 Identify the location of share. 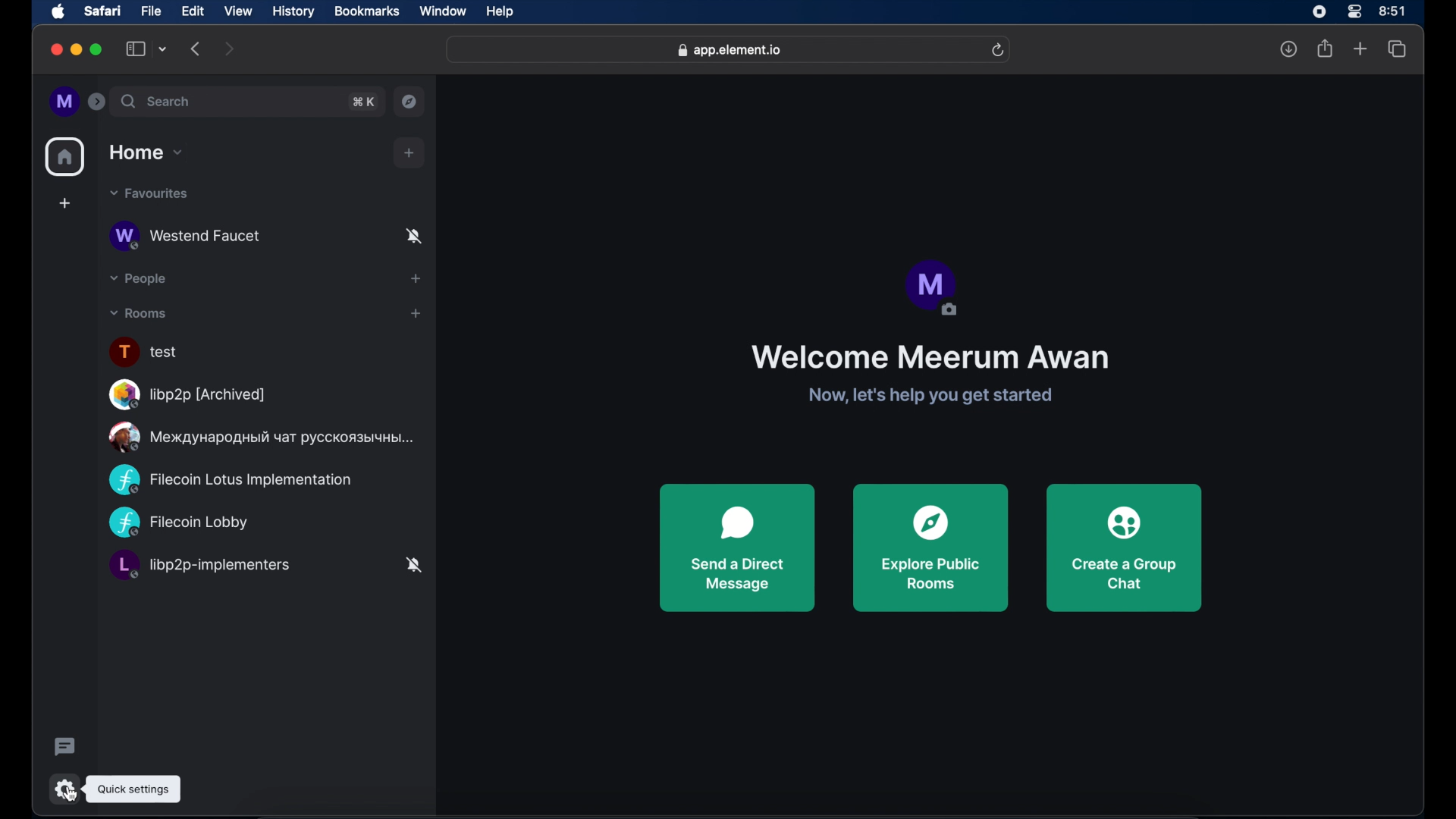
(1325, 51).